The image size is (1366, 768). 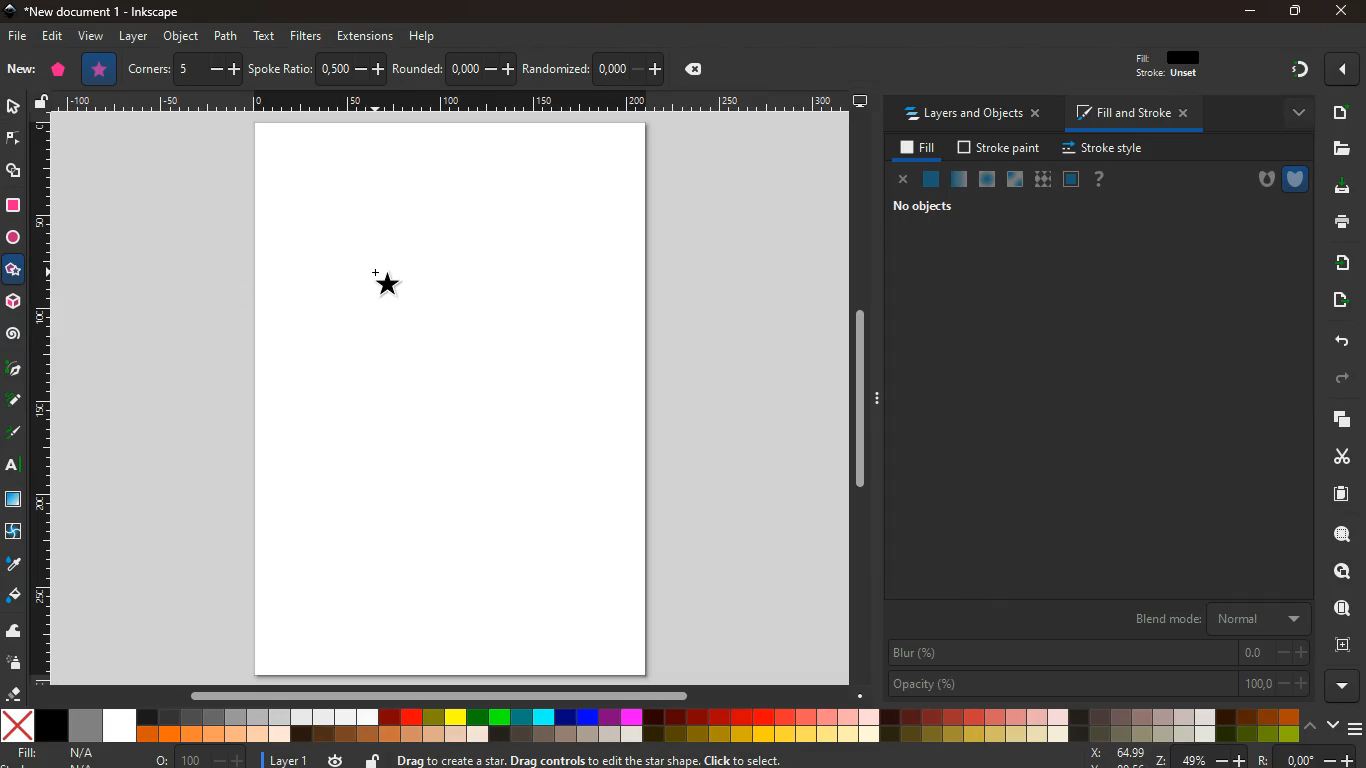 I want to click on shield, so click(x=1297, y=179).